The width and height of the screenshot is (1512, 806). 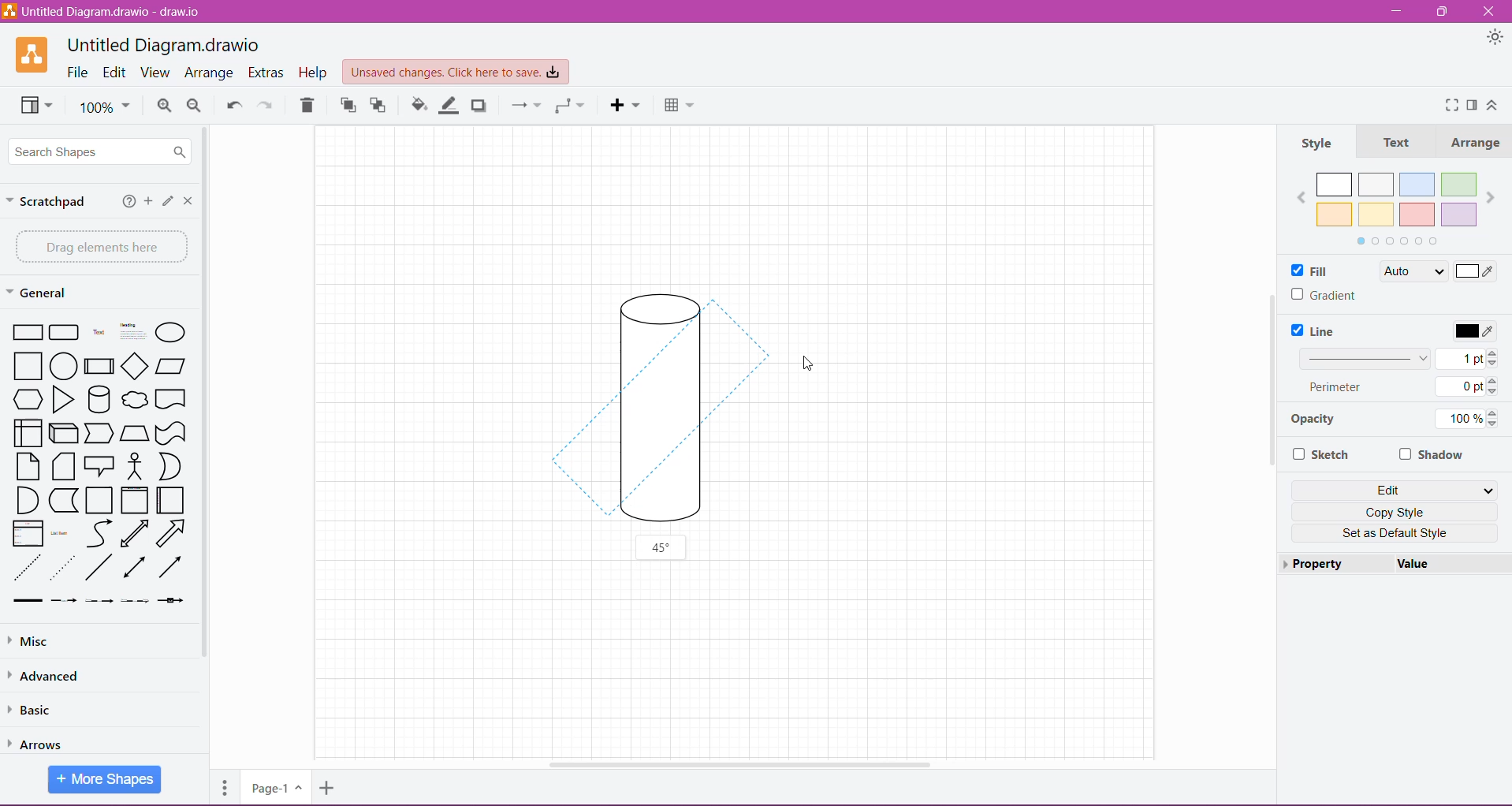 What do you see at coordinates (311, 105) in the screenshot?
I see `Delete` at bounding box center [311, 105].